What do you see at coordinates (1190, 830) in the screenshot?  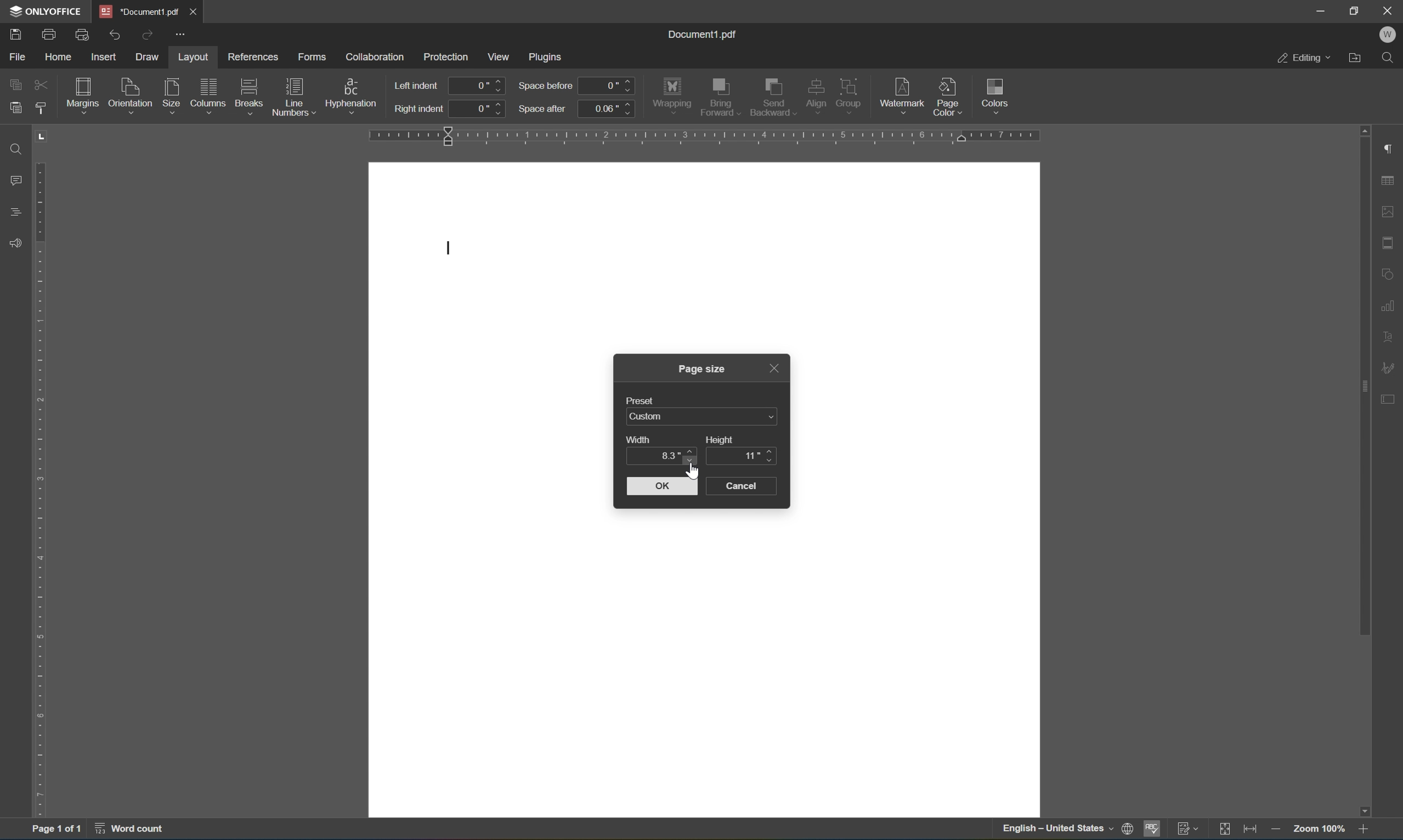 I see `track changes` at bounding box center [1190, 830].